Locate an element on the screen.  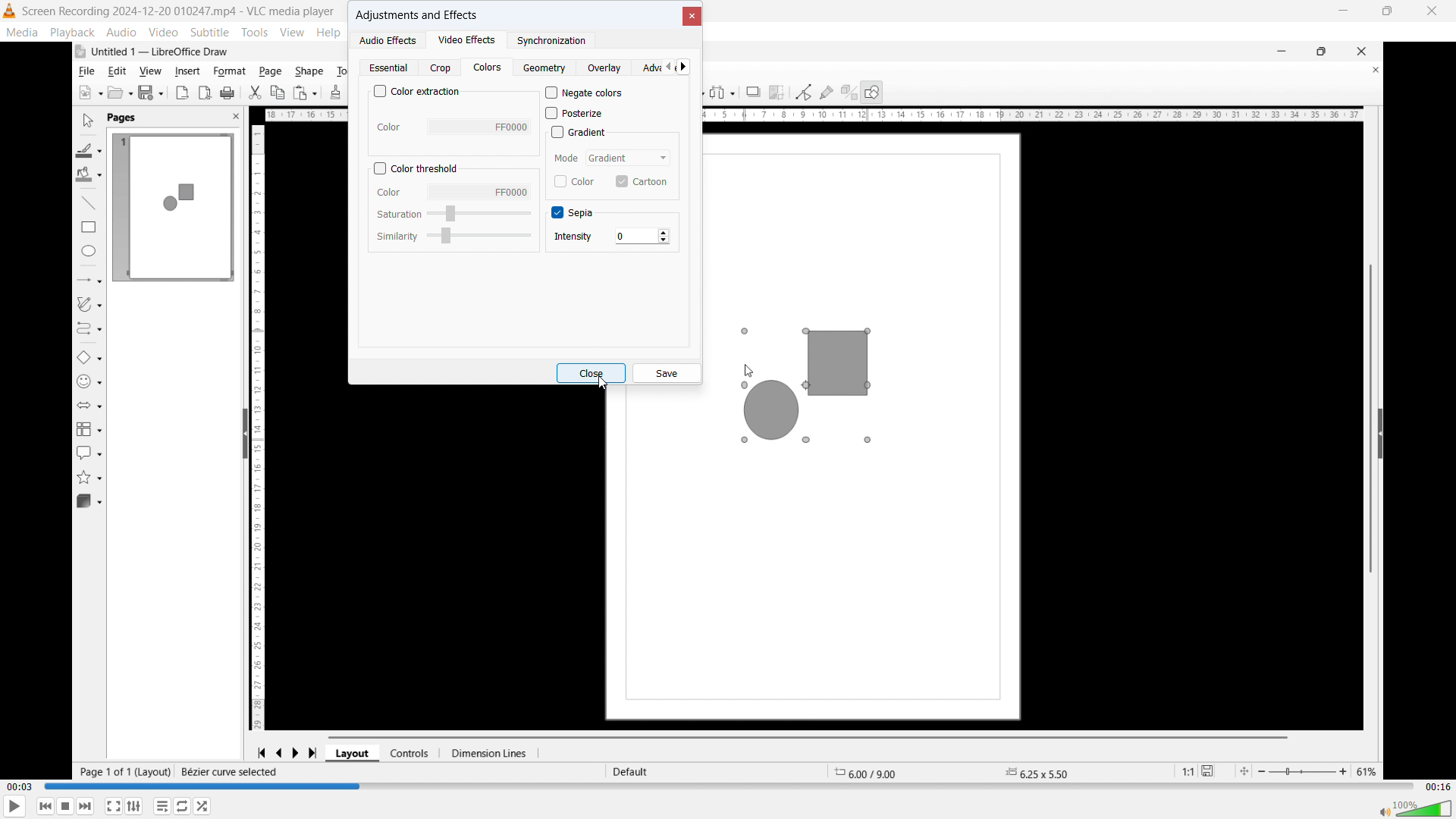
Backward or previous media  is located at coordinates (44, 806).